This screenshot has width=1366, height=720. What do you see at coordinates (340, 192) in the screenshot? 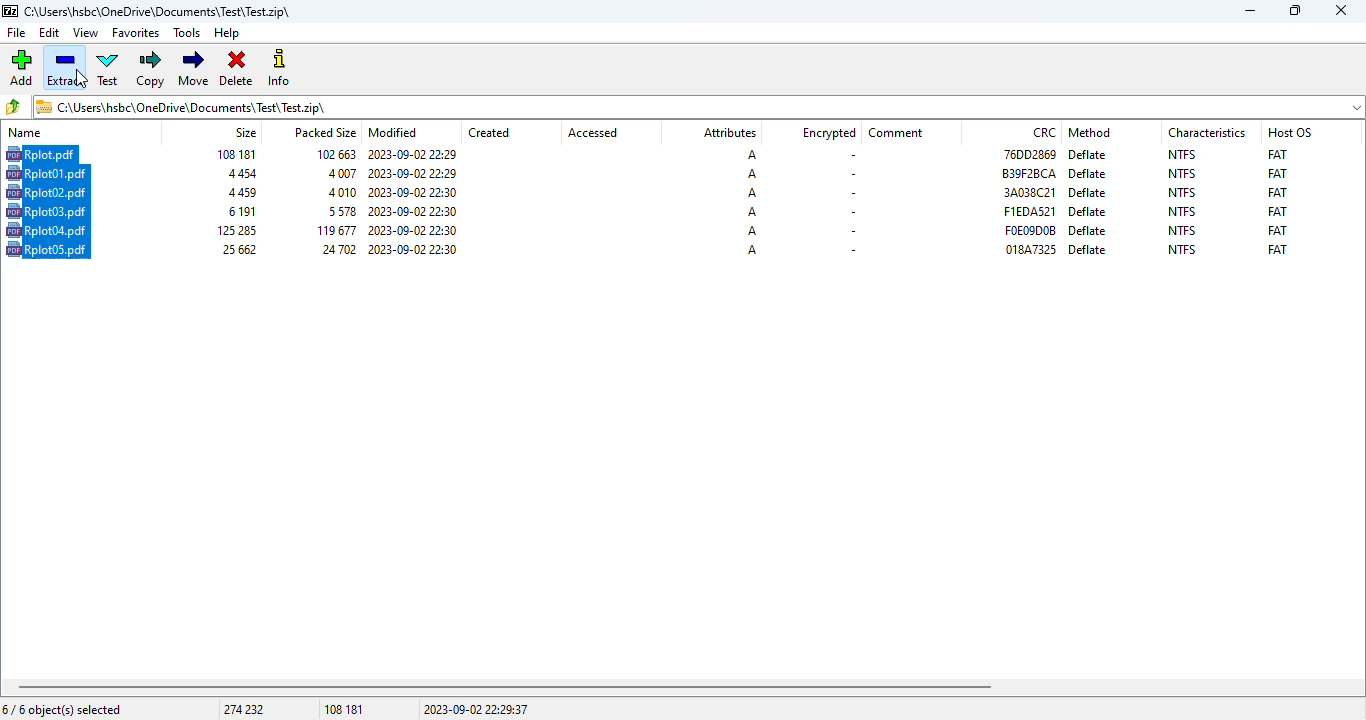
I see `packed size` at bounding box center [340, 192].